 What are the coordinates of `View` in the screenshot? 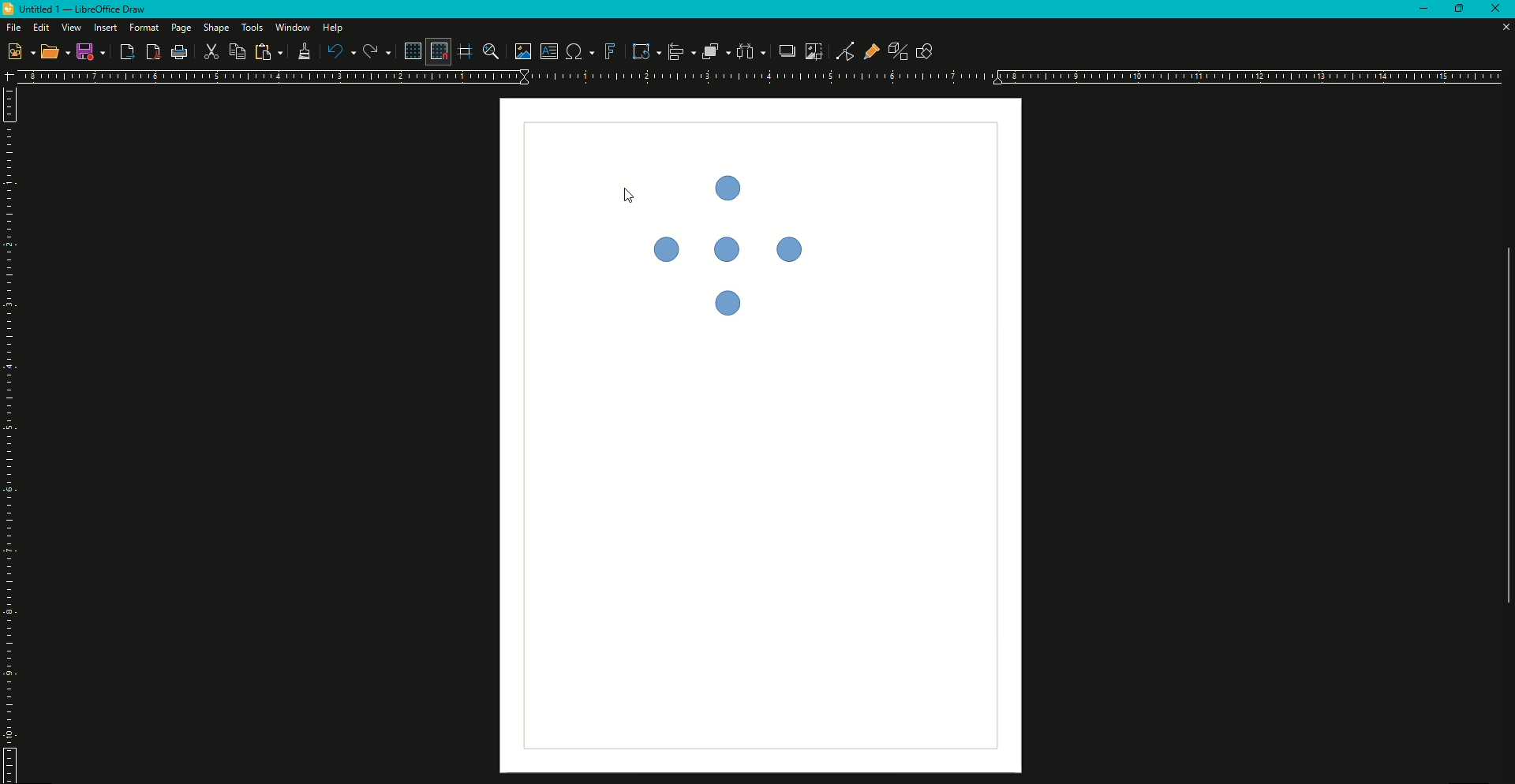 It's located at (67, 28).